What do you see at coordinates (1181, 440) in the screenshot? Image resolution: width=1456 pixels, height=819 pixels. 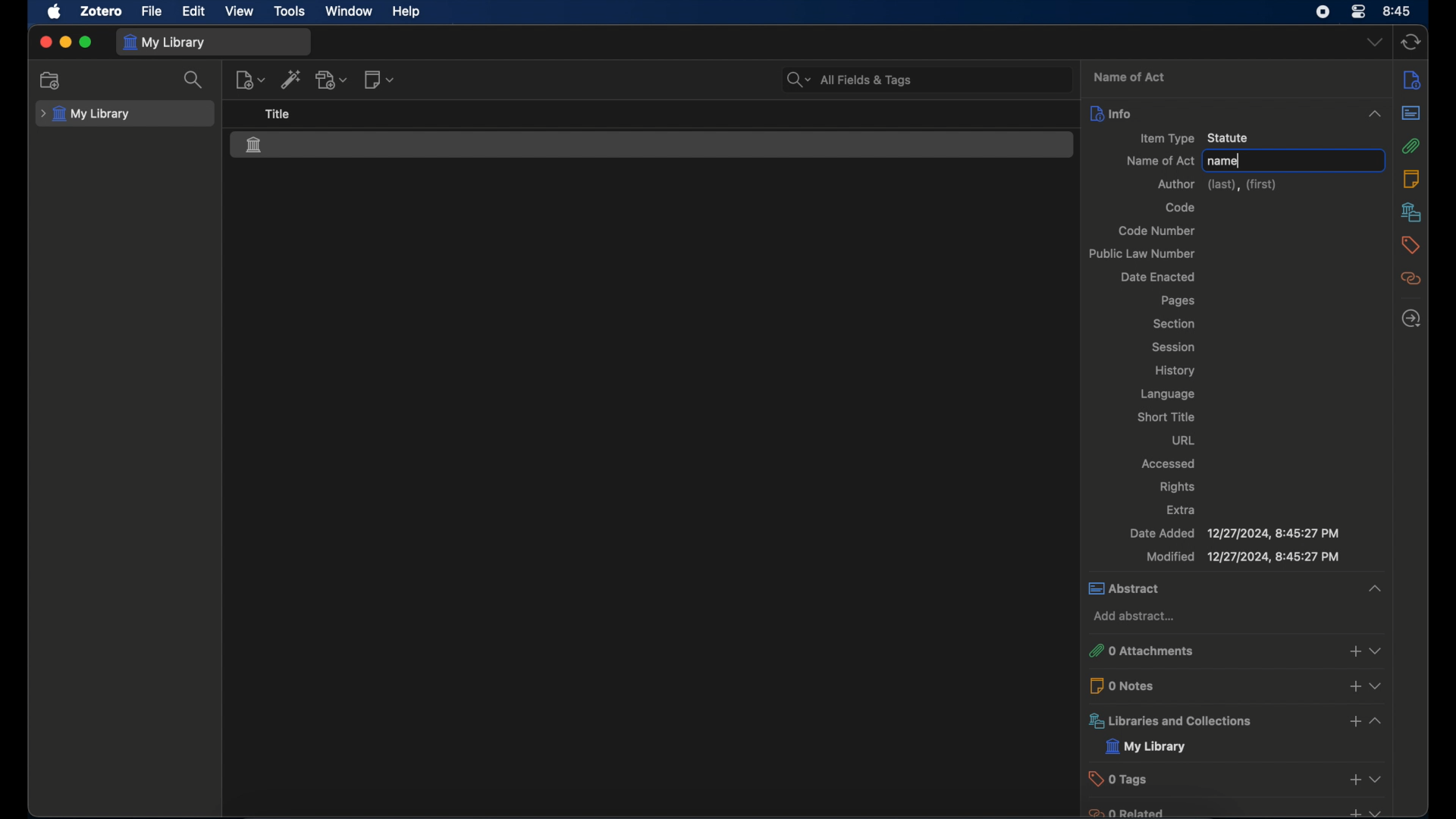 I see `url` at bounding box center [1181, 440].